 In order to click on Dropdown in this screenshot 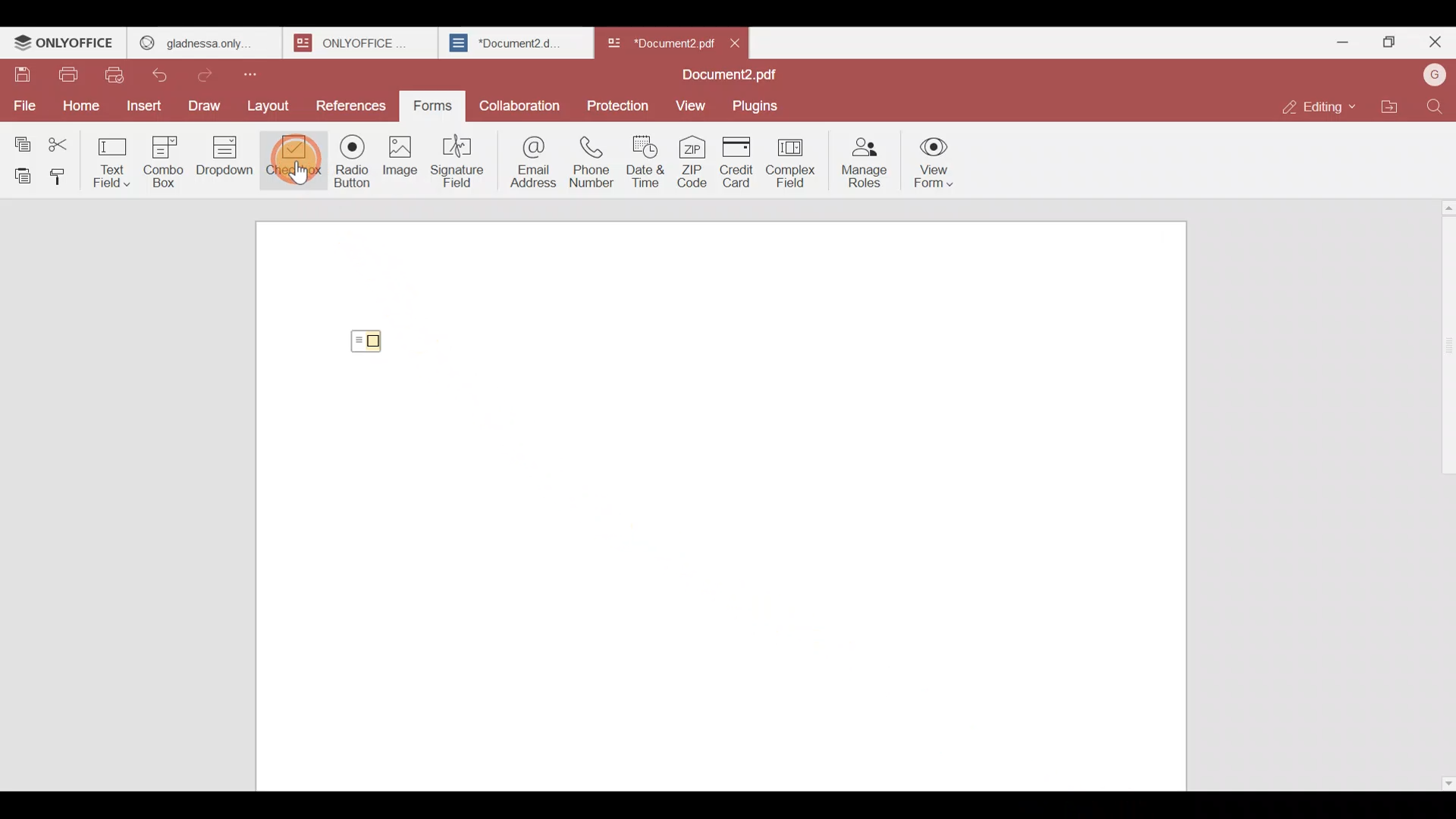, I will do `click(227, 162)`.